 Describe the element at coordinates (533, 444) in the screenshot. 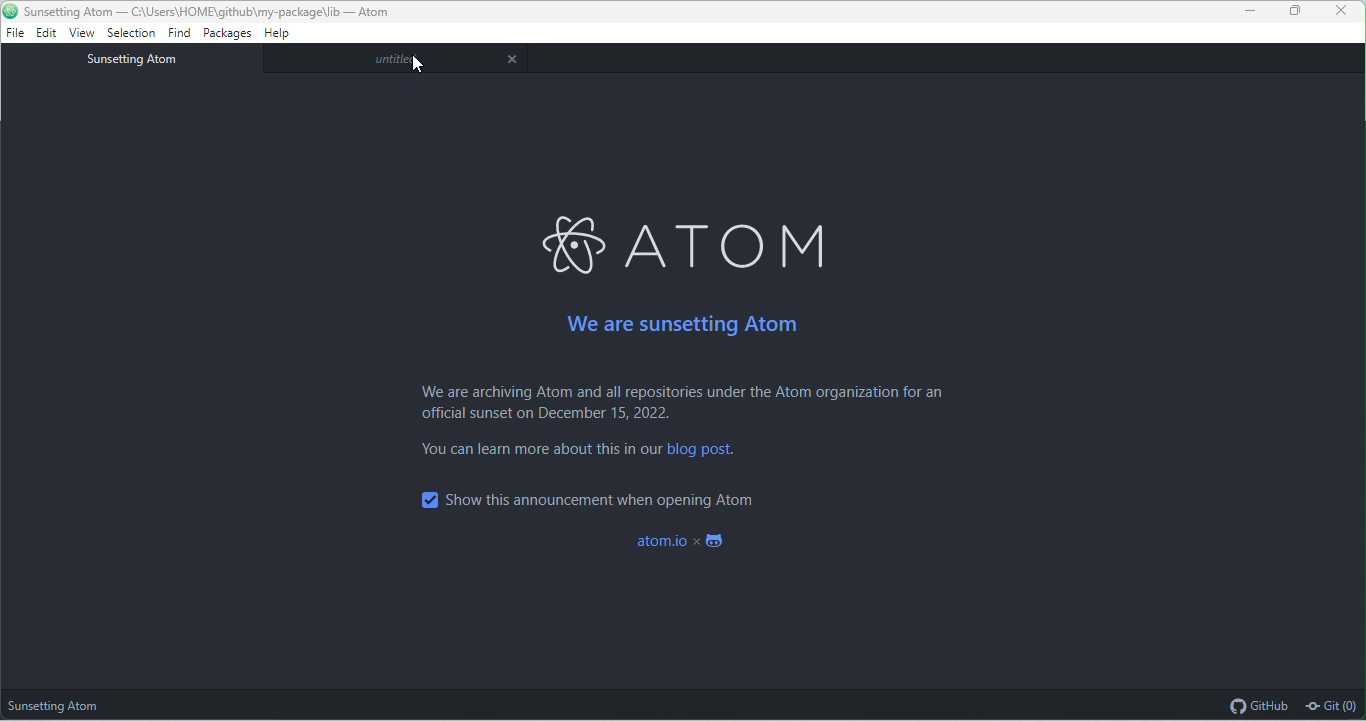

I see `TEXT` at that location.